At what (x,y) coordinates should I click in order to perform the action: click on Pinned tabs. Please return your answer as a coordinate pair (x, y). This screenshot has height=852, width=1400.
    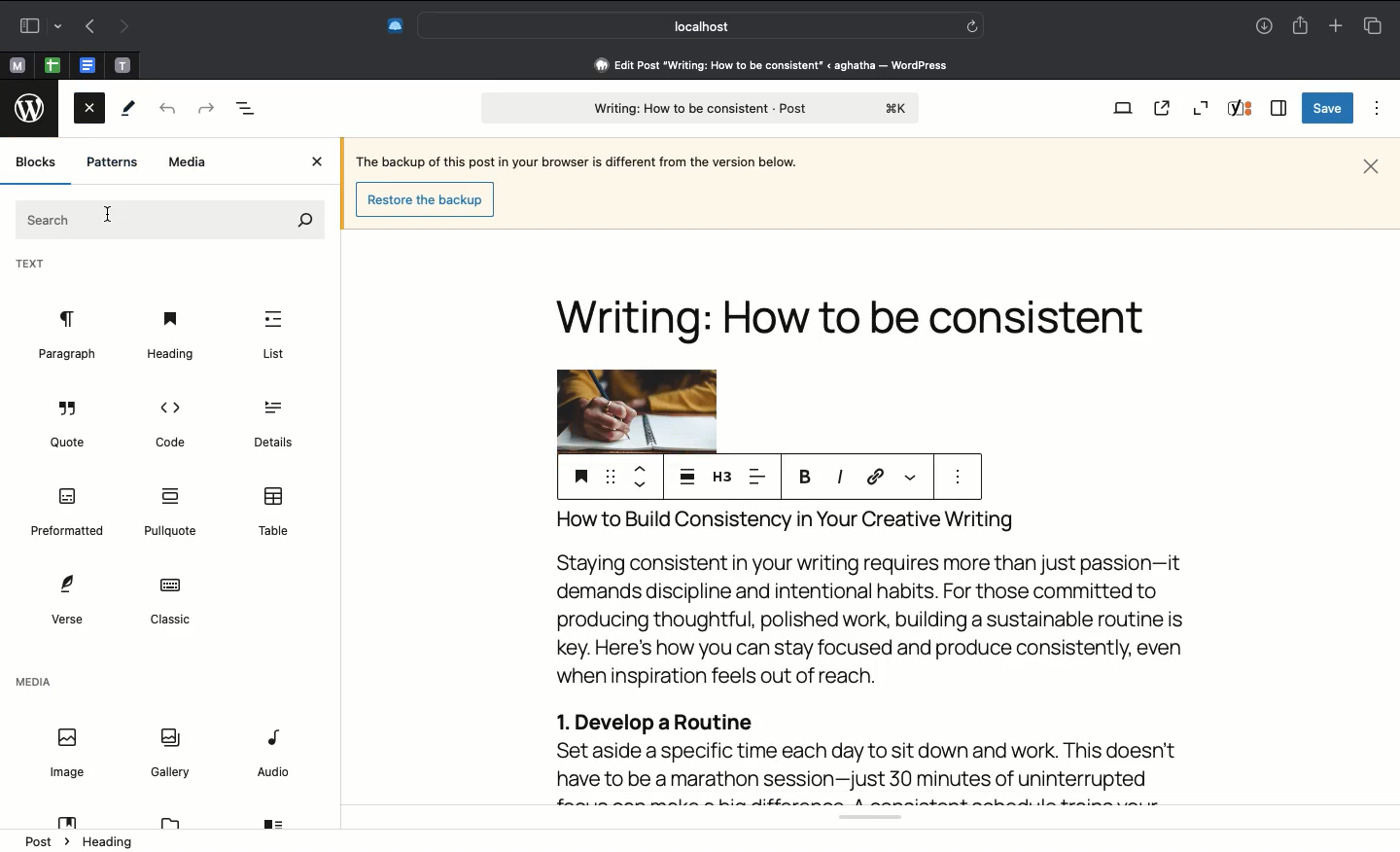
    Looking at the image, I should click on (18, 64).